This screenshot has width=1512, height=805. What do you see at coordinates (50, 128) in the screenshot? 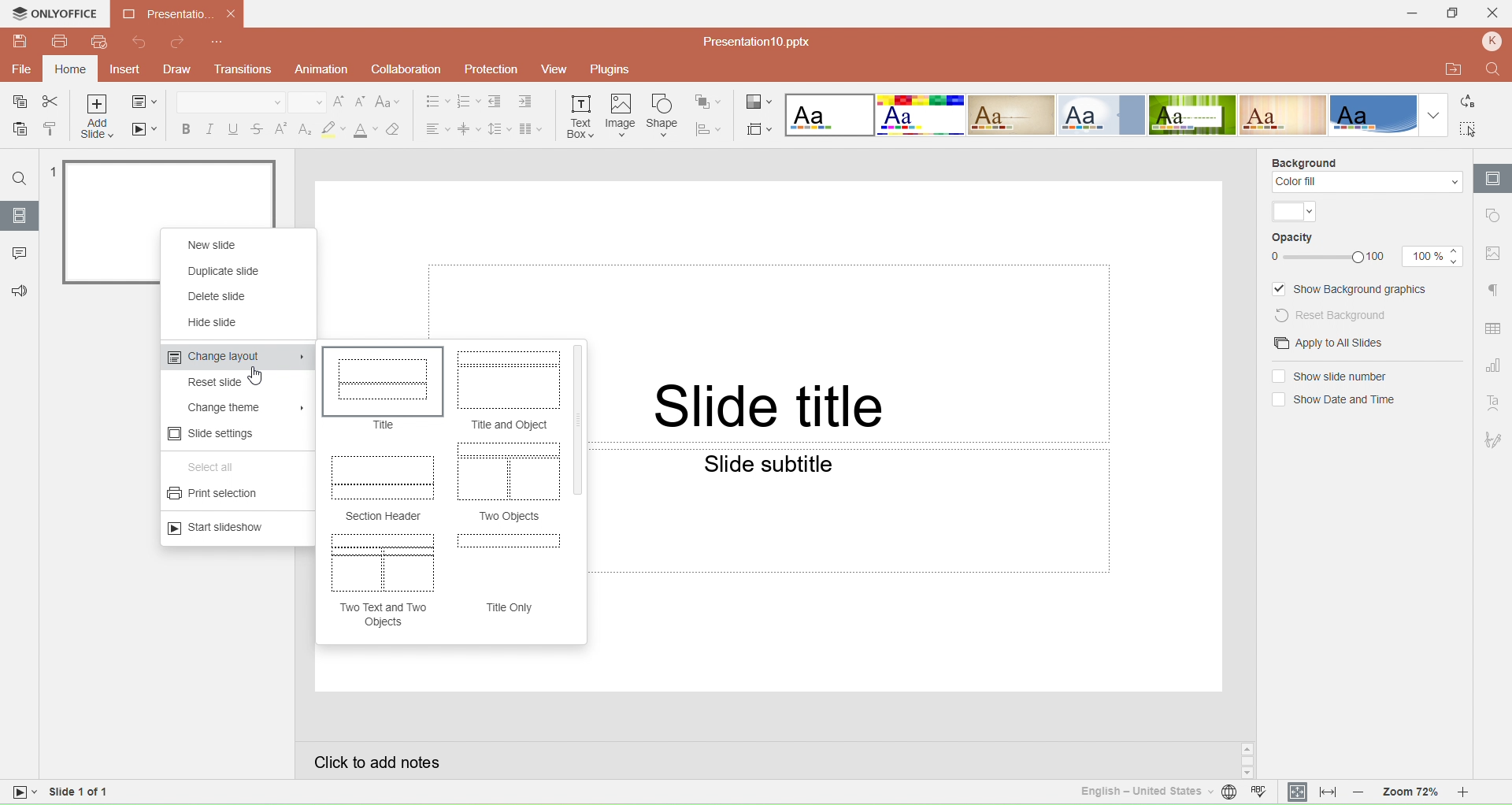
I see `Copy style` at bounding box center [50, 128].